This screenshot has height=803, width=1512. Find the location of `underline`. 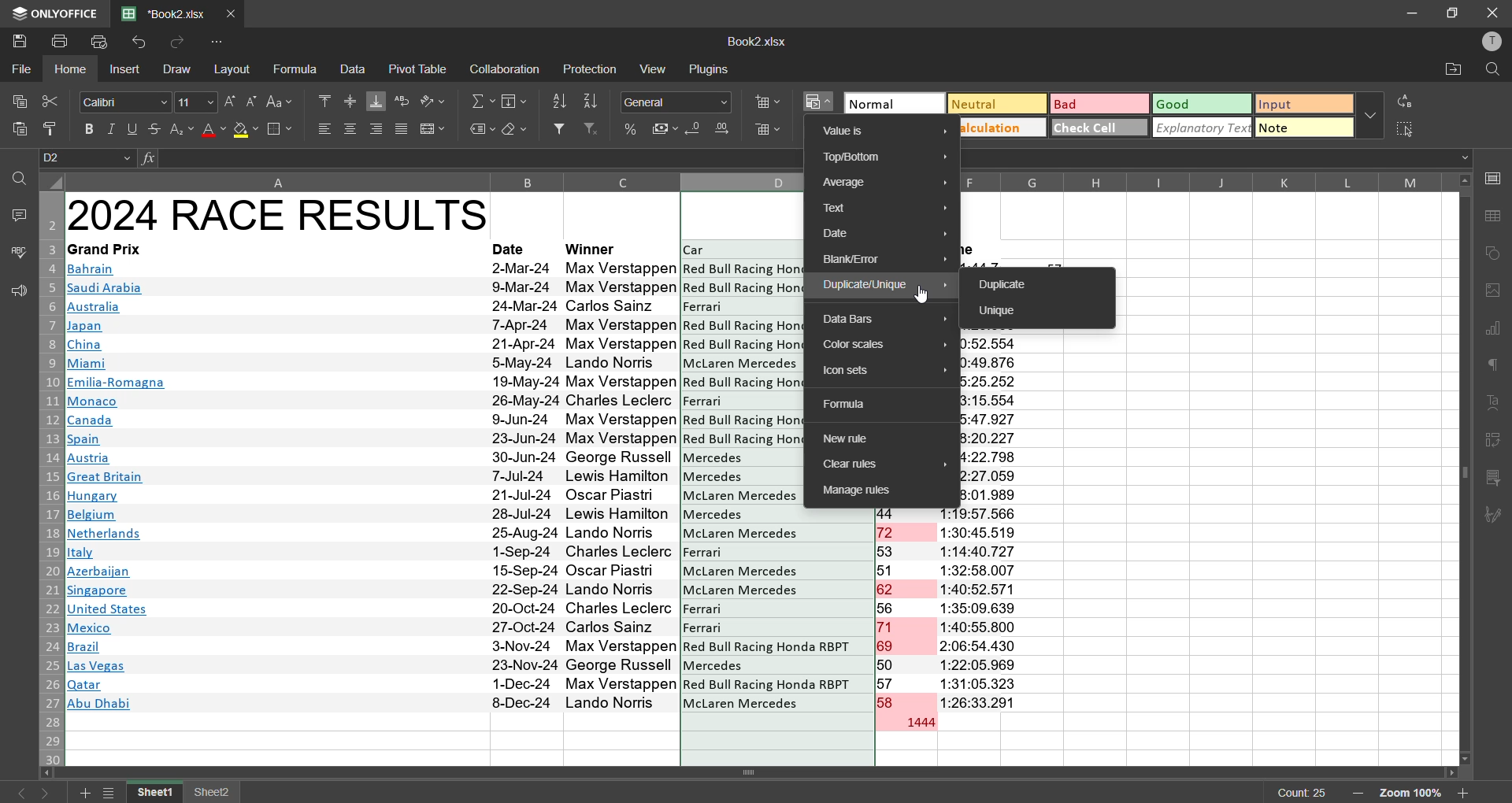

underline is located at coordinates (133, 128).